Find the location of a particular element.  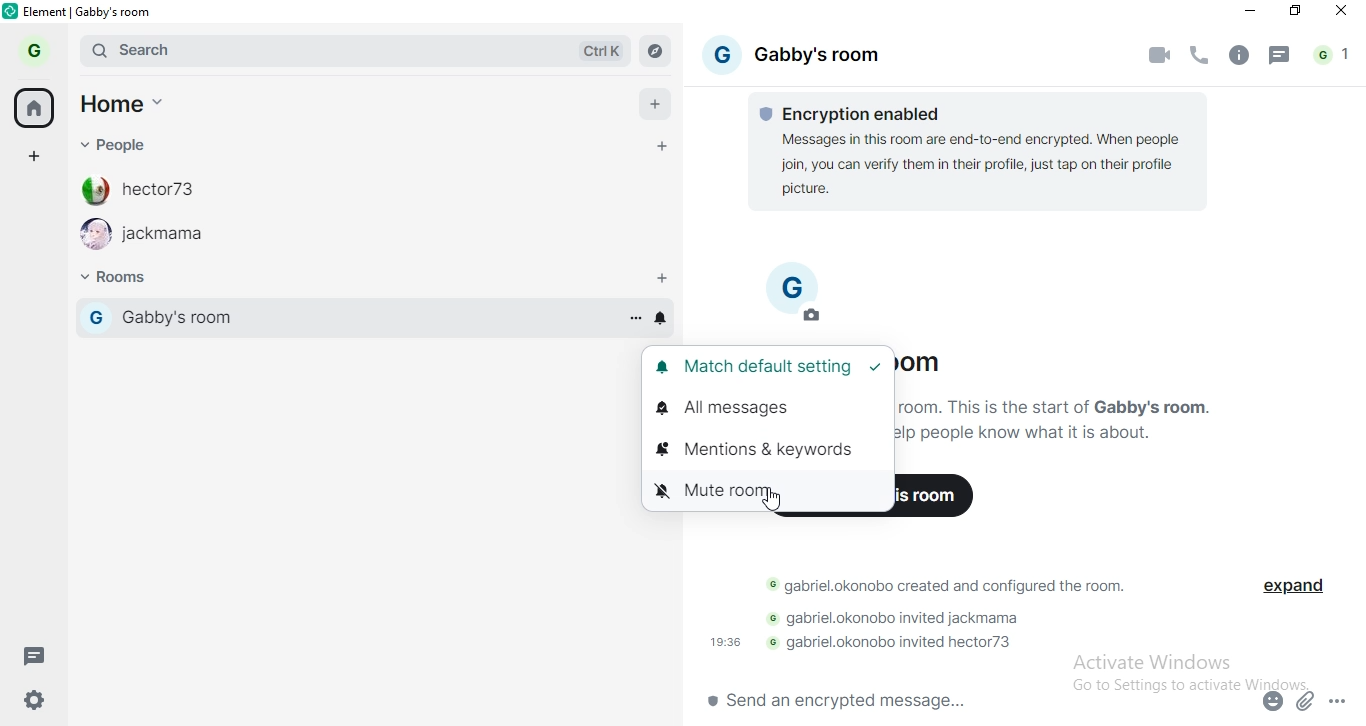

invite to this room is located at coordinates (933, 495).